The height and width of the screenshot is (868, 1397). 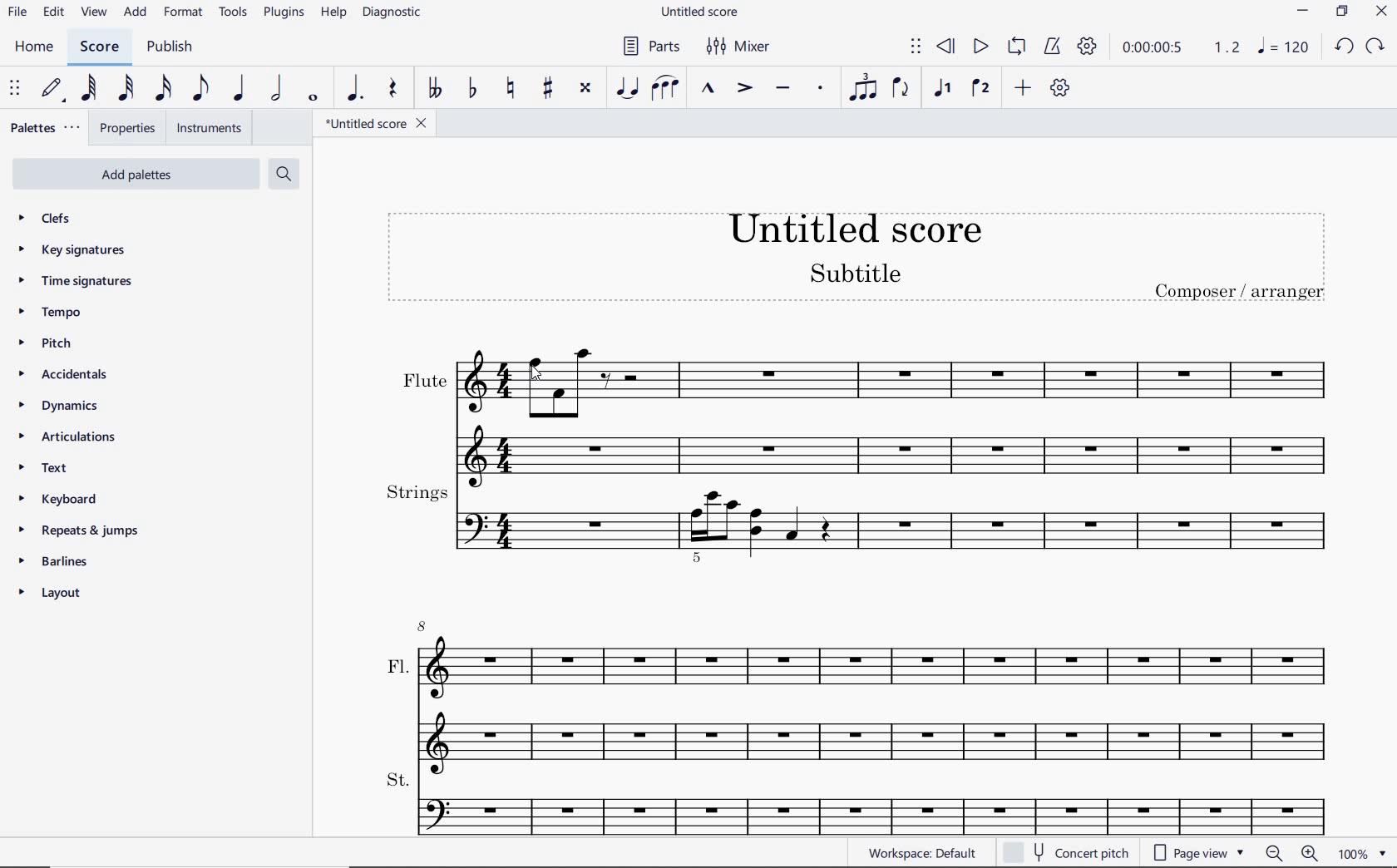 I want to click on PLUGINS, so click(x=285, y=14).